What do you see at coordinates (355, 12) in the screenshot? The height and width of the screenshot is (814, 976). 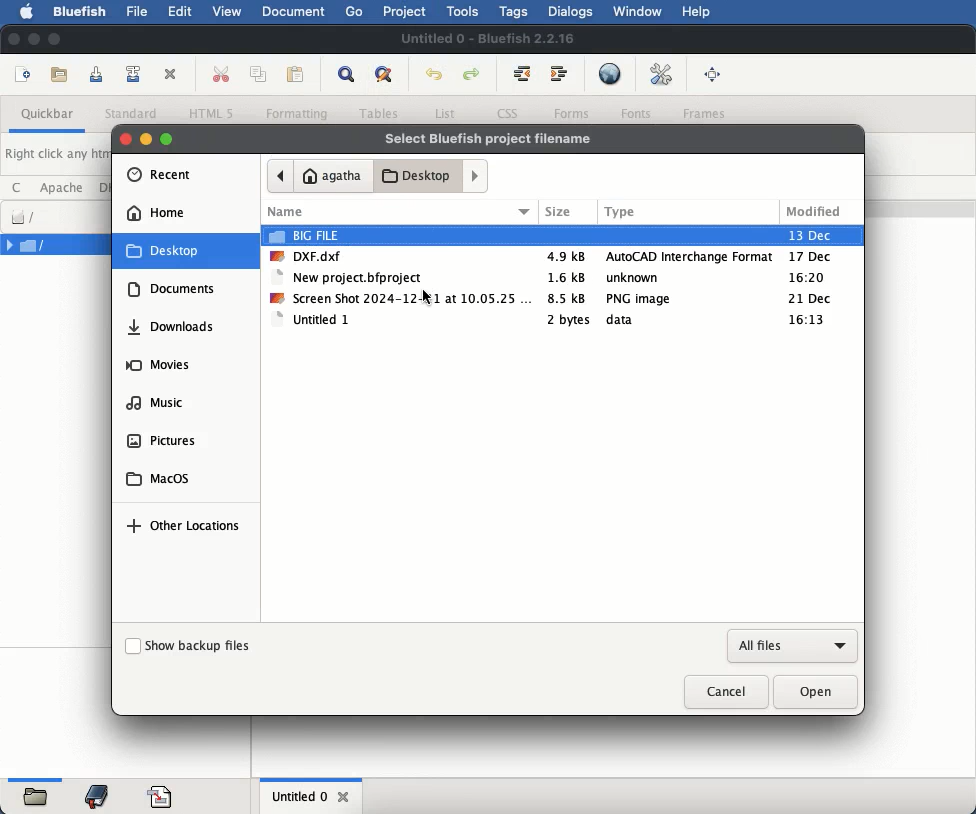 I see `go` at bounding box center [355, 12].